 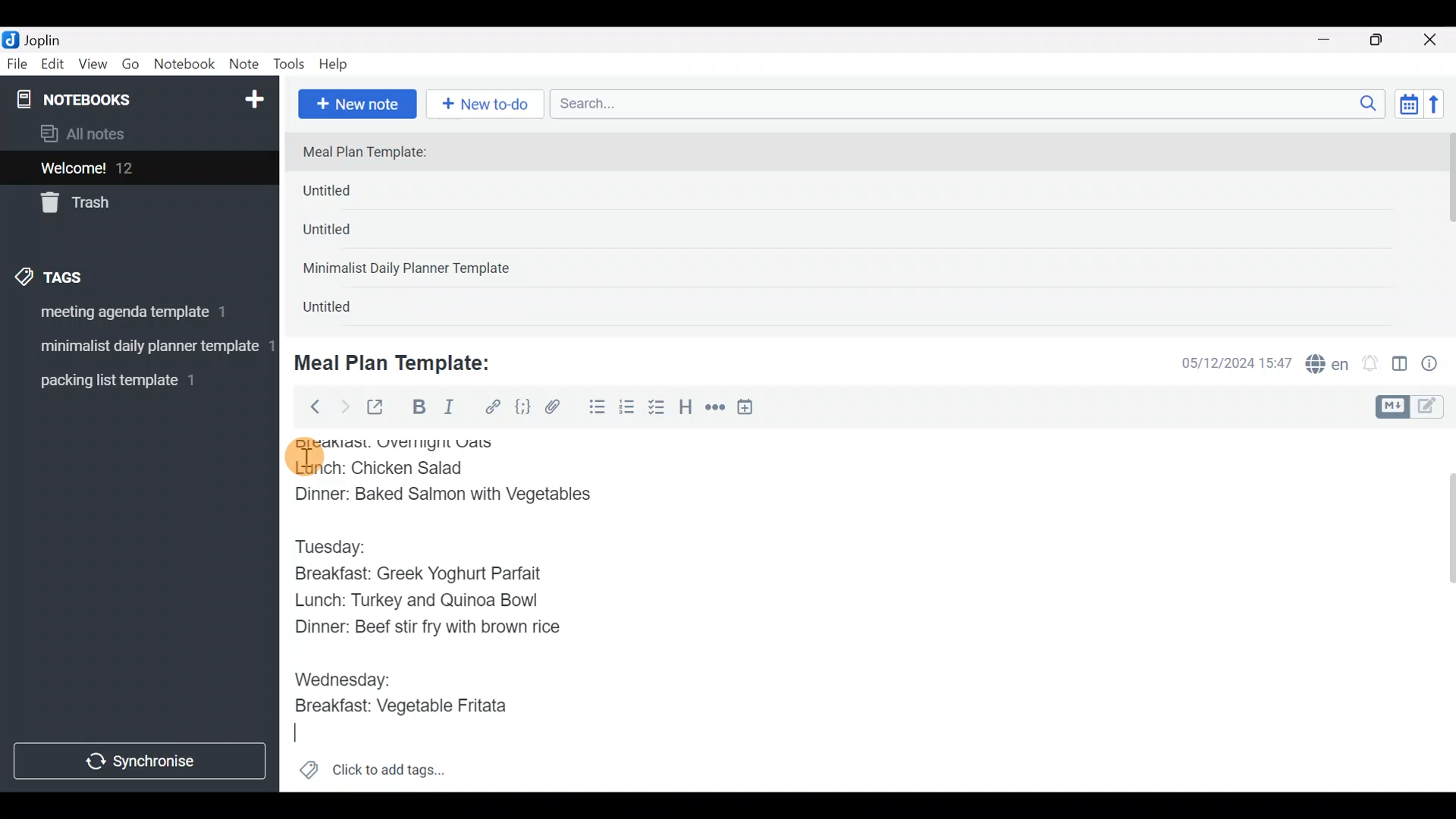 What do you see at coordinates (1408, 105) in the screenshot?
I see `Toggle sort order` at bounding box center [1408, 105].